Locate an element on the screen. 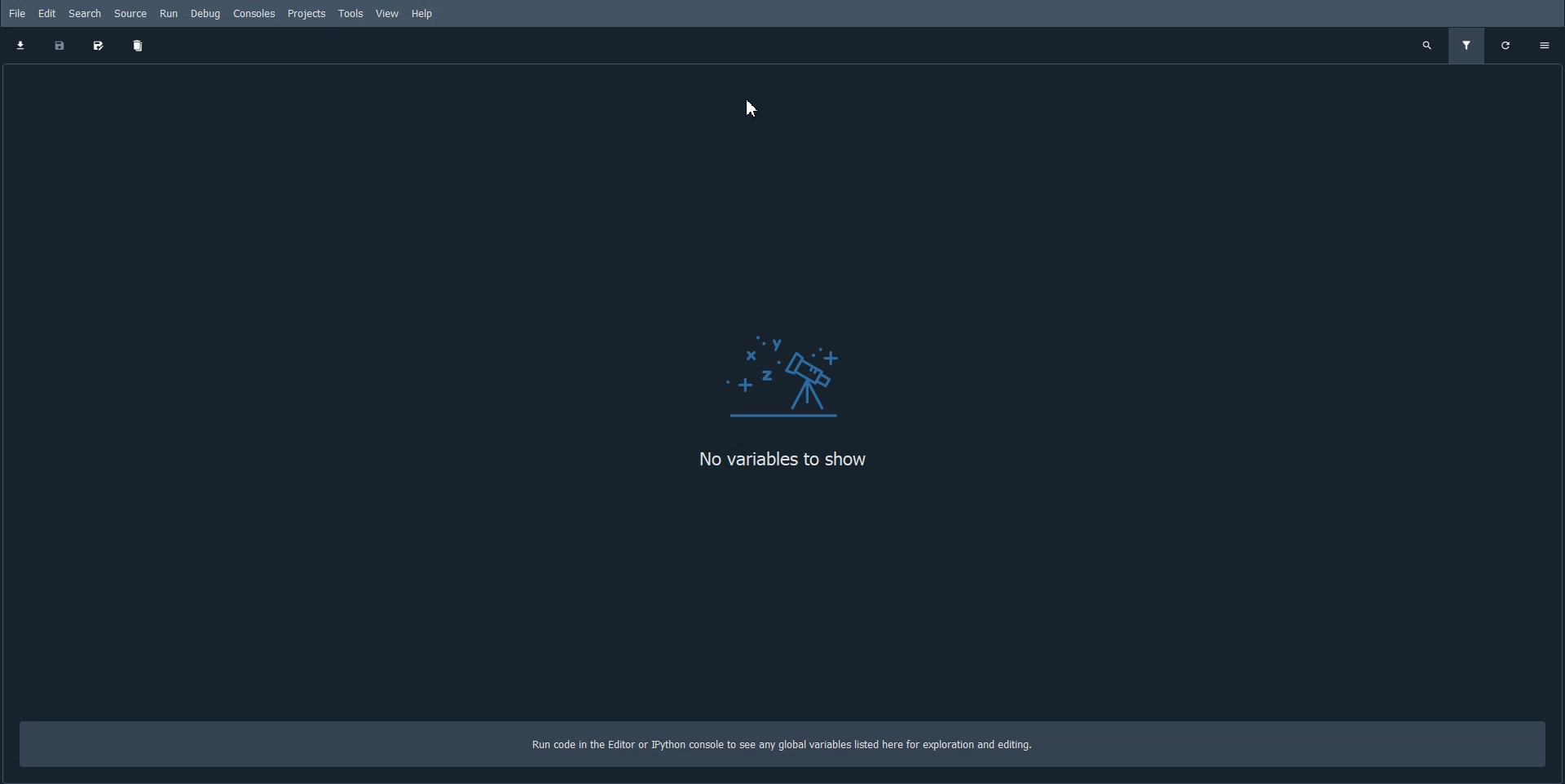  Consoles is located at coordinates (255, 12).